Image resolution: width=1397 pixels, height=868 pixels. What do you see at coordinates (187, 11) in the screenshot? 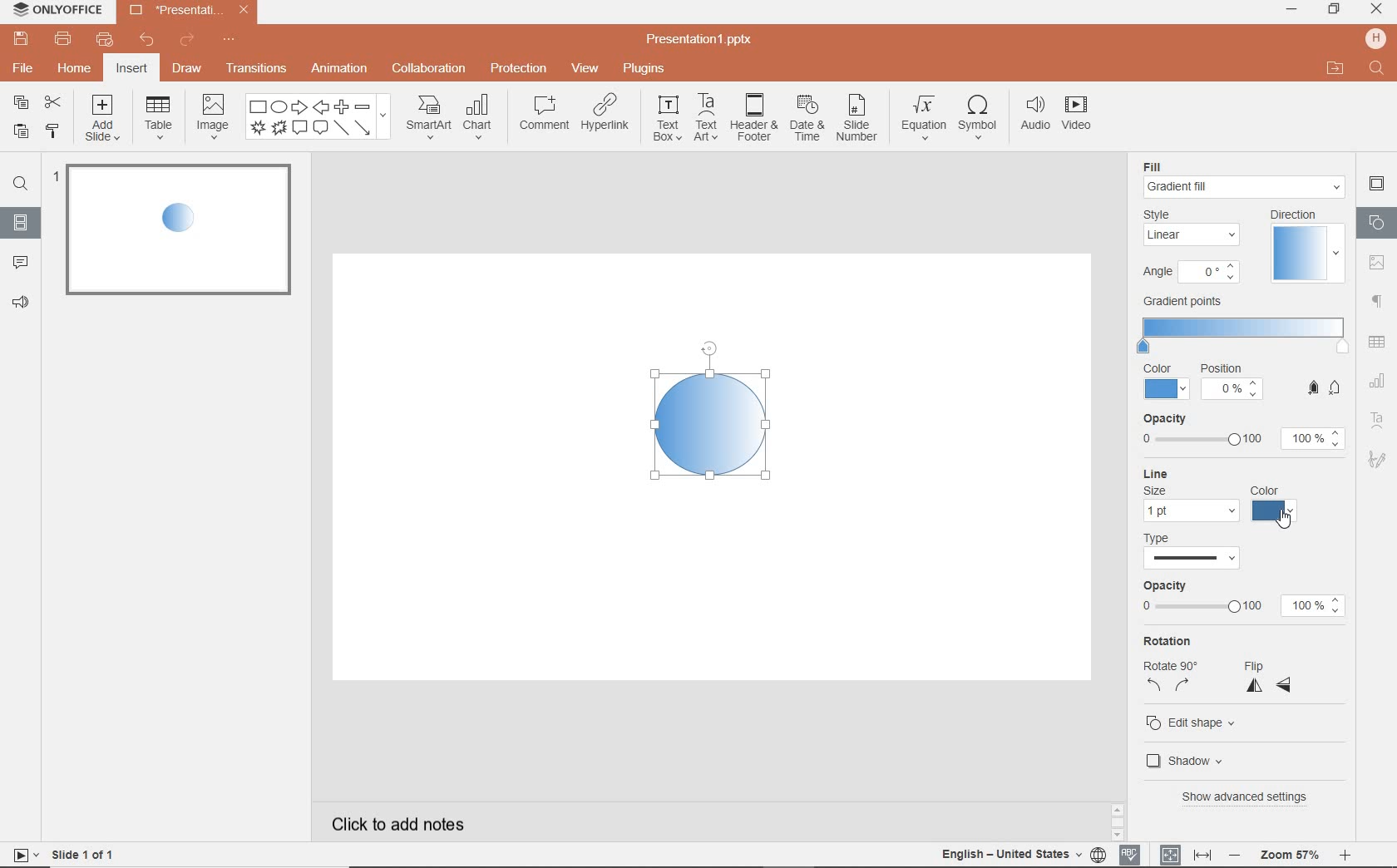
I see `file name` at bounding box center [187, 11].